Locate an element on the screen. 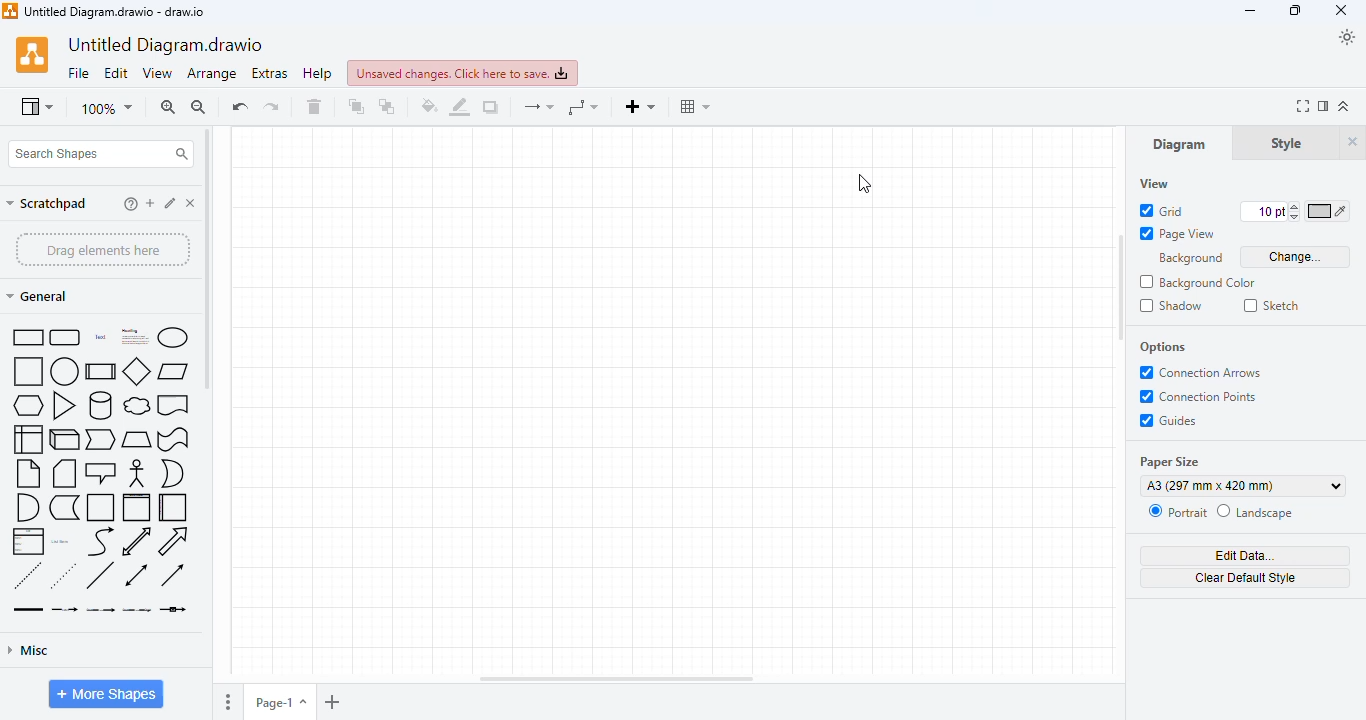  list is located at coordinates (28, 541).